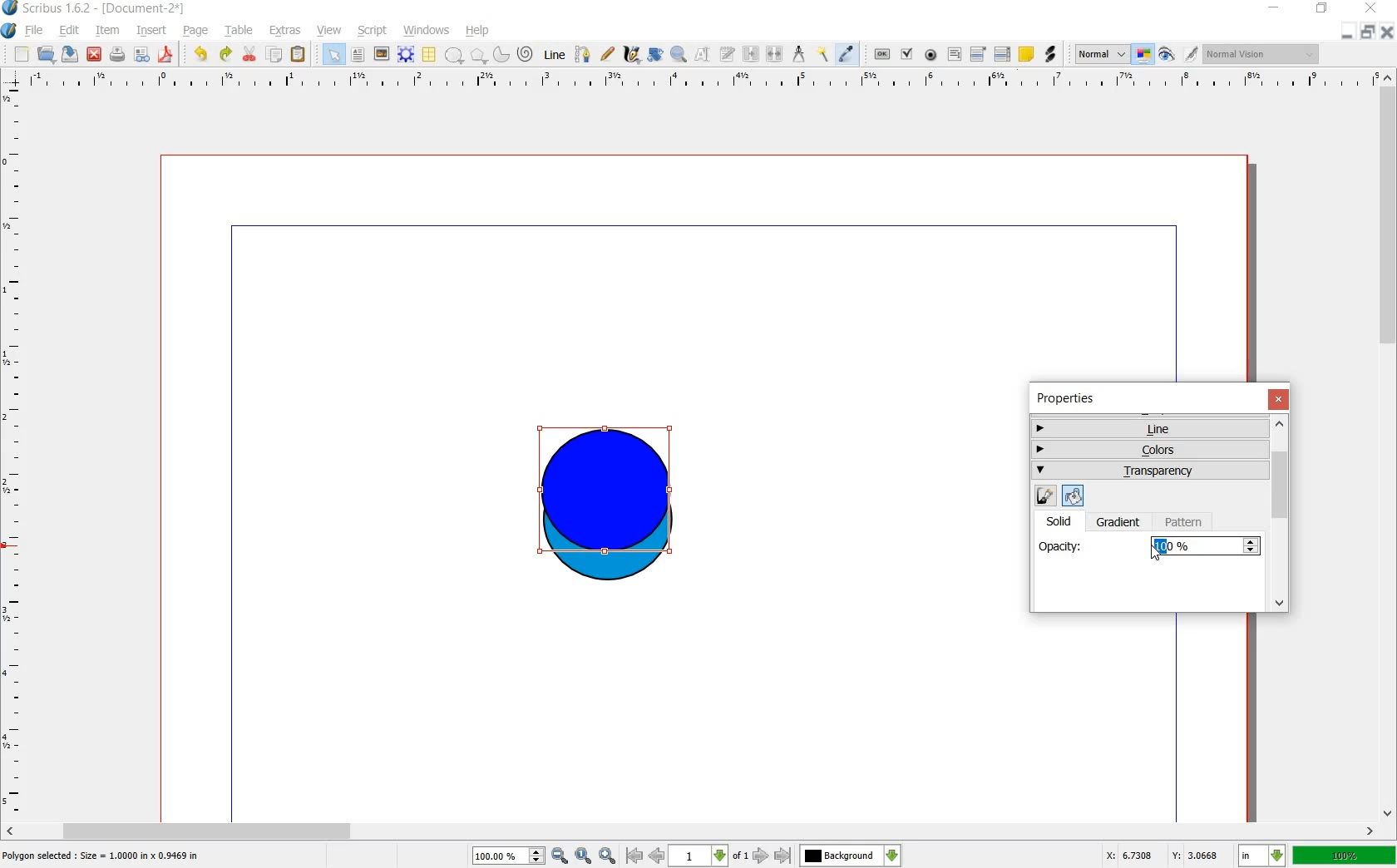 The height and width of the screenshot is (868, 1397). Describe the element at coordinates (536, 856) in the screenshot. I see `increase or decrease zoom` at that location.